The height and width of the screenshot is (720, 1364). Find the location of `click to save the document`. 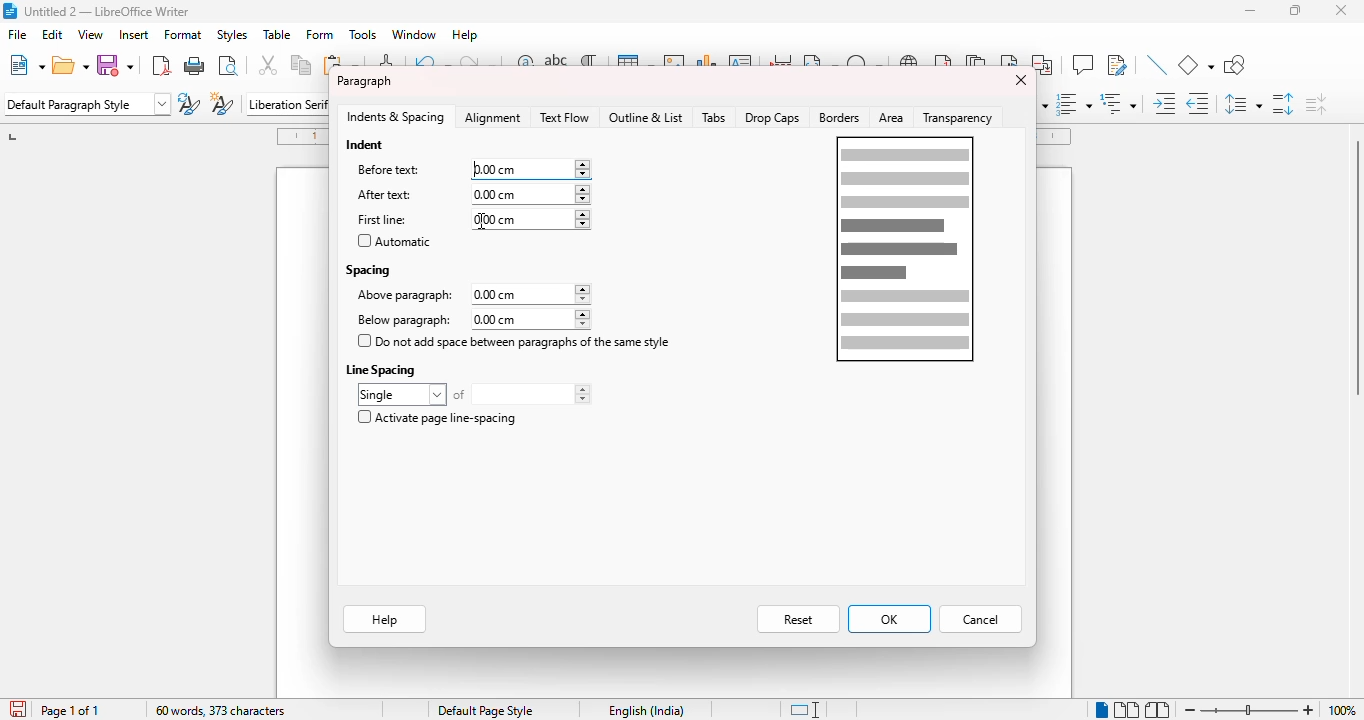

click to save the document is located at coordinates (17, 708).